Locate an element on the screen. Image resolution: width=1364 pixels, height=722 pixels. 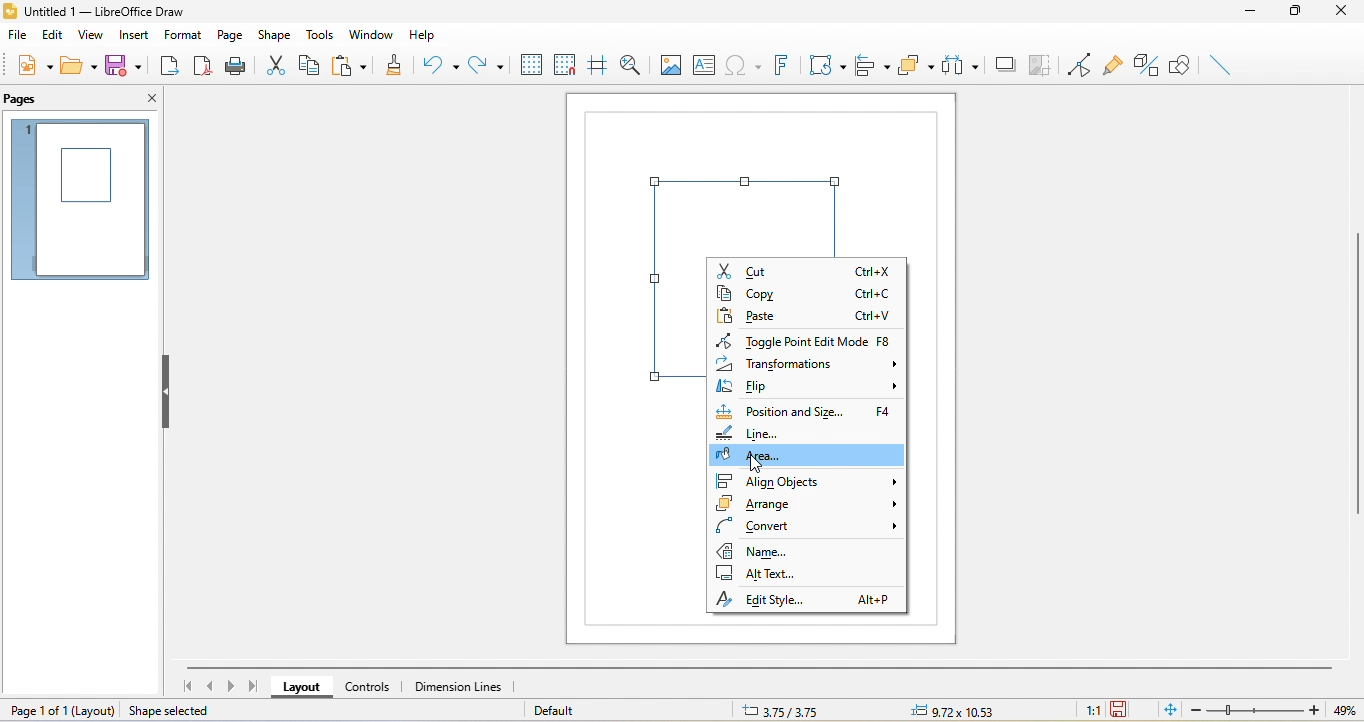
transformation is located at coordinates (809, 366).